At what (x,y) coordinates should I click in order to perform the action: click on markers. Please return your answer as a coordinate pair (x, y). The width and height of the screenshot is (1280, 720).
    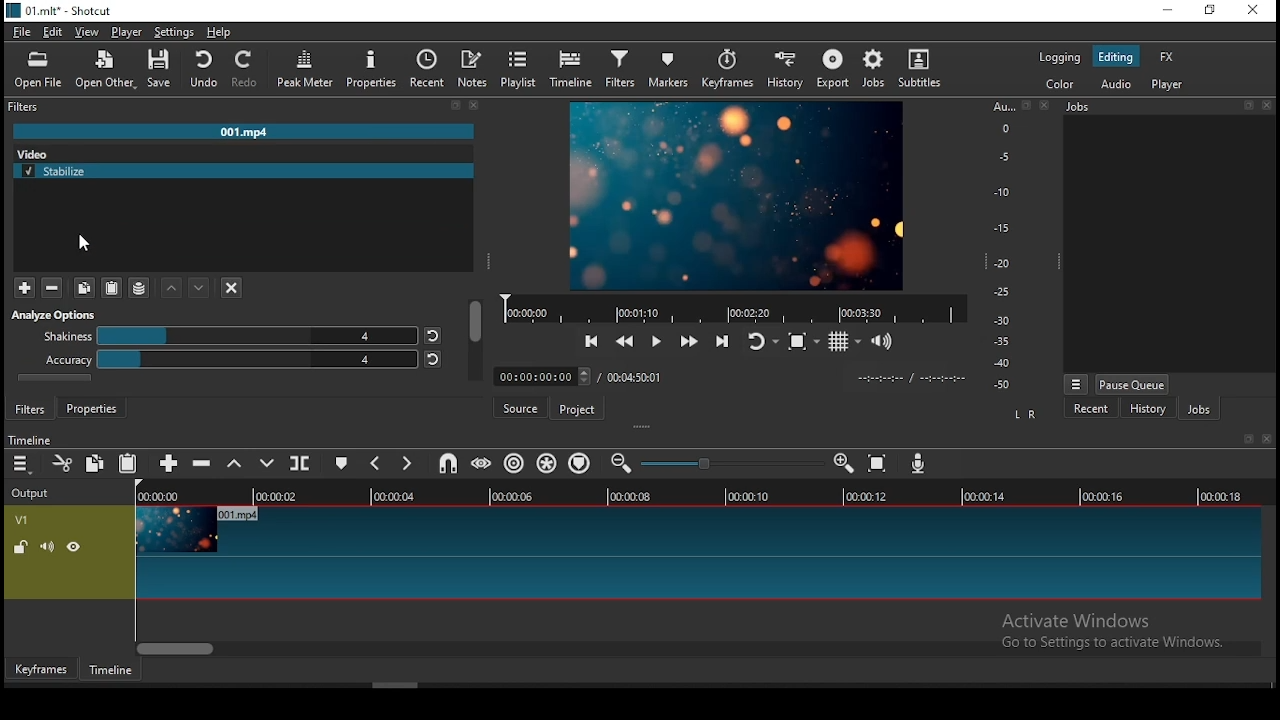
    Looking at the image, I should click on (669, 73).